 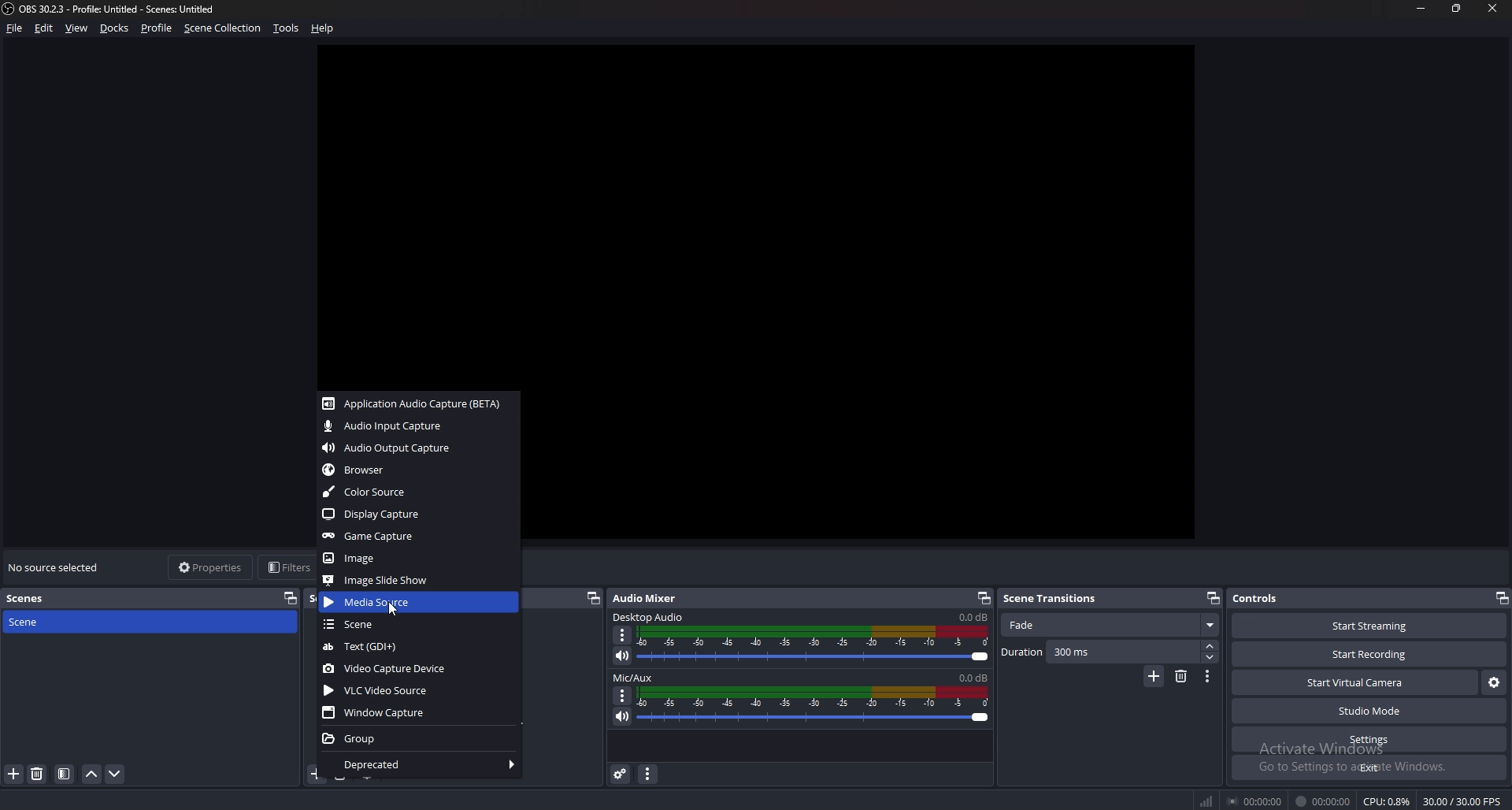 What do you see at coordinates (1207, 677) in the screenshot?
I see `Transition properties` at bounding box center [1207, 677].